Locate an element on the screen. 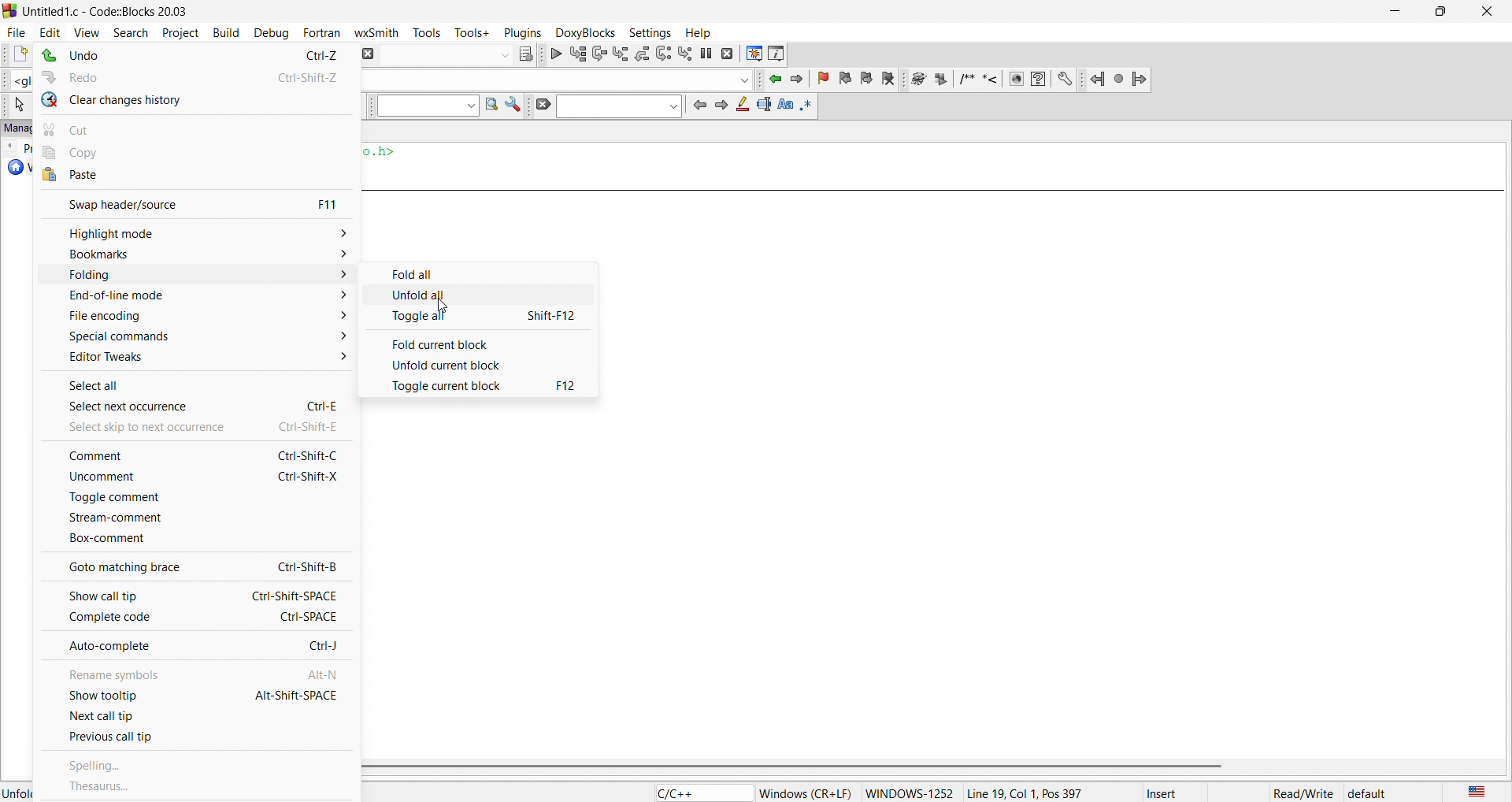 Image resolution: width=1512 pixels, height=802 pixels. minimize is located at coordinates (1392, 12).